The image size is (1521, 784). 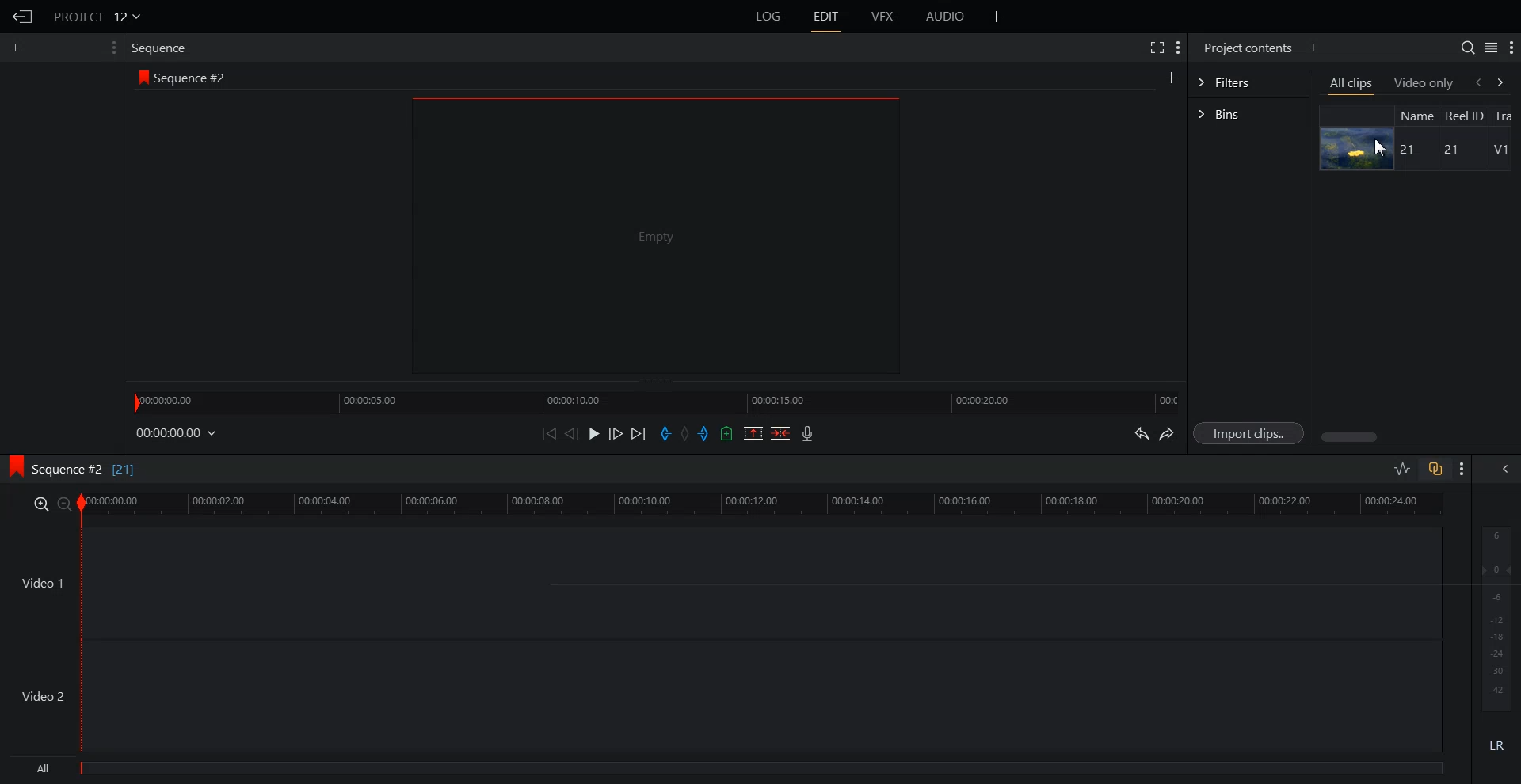 I want to click on Nudge one frame forward, so click(x=616, y=432).